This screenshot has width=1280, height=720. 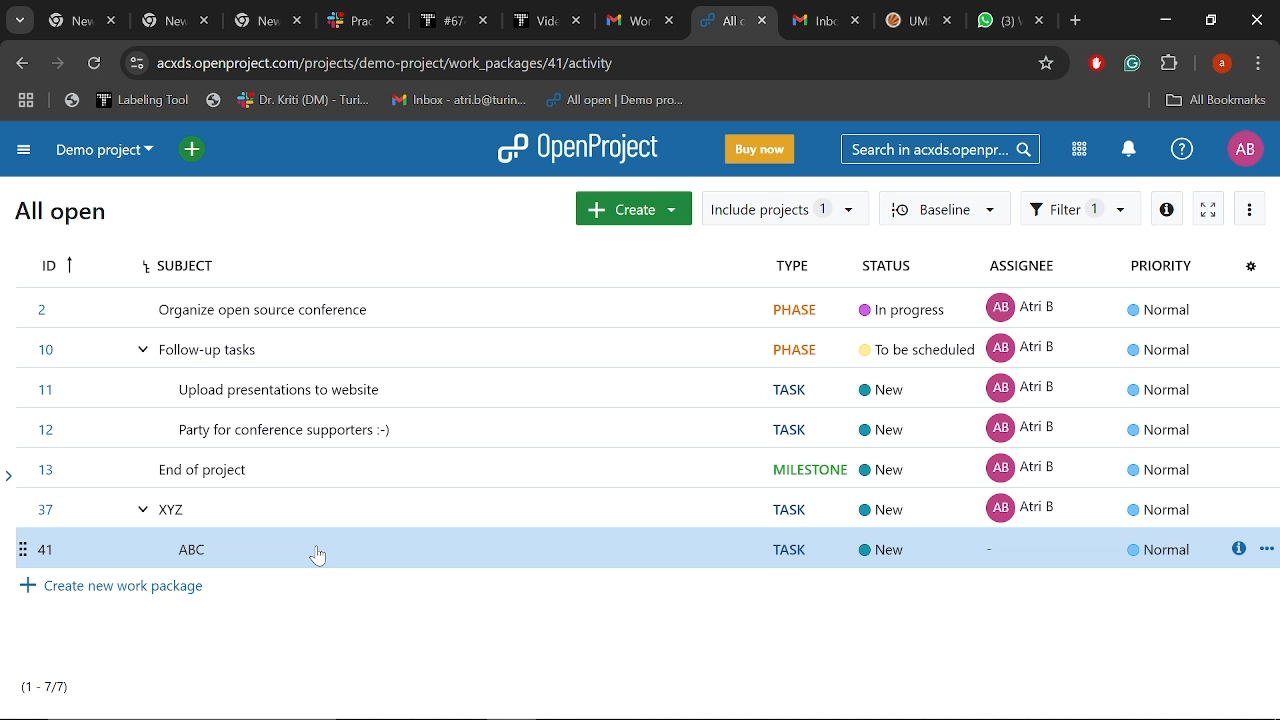 What do you see at coordinates (722, 23) in the screenshot?
I see `Current tab` at bounding box center [722, 23].